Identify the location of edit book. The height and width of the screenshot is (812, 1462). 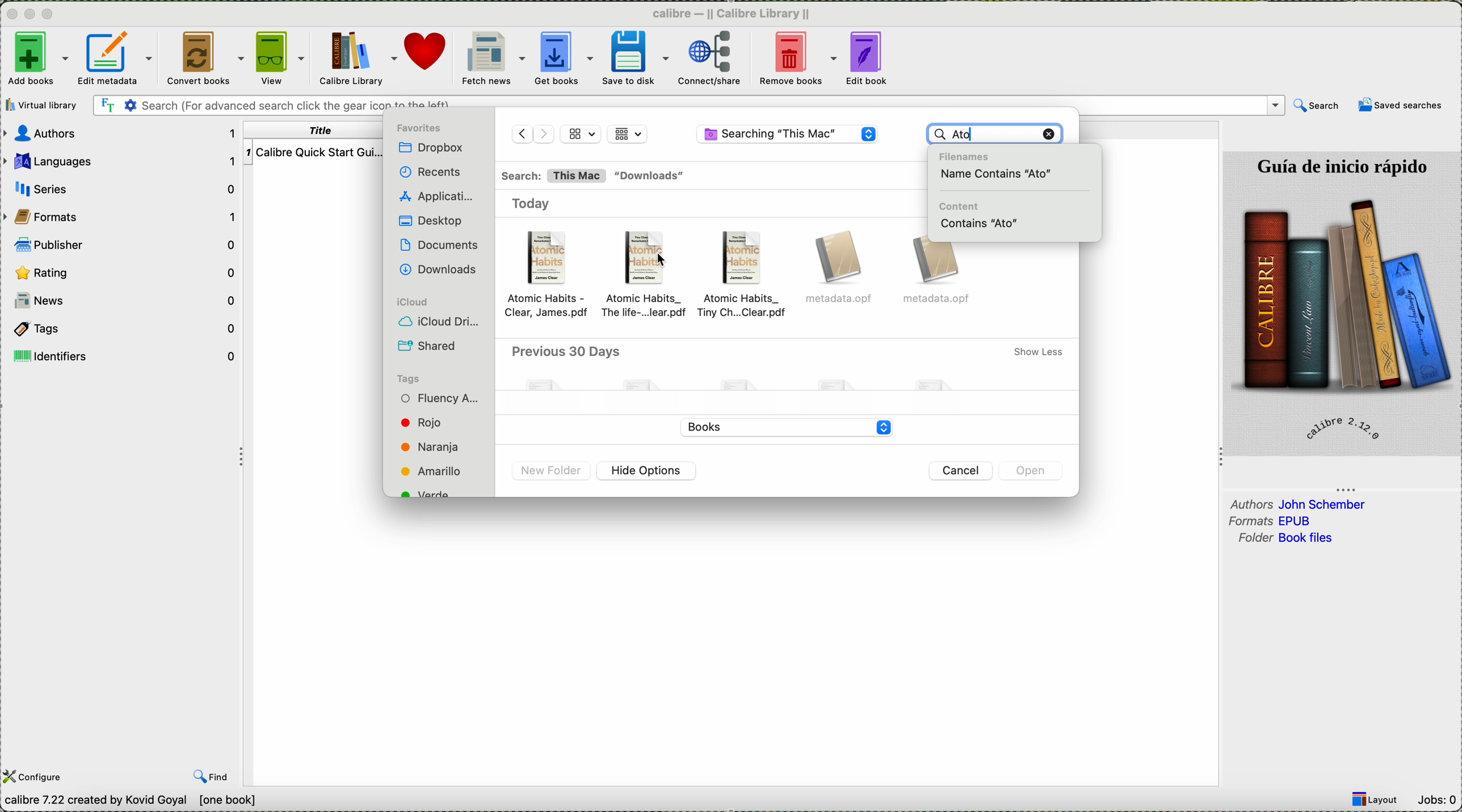
(866, 57).